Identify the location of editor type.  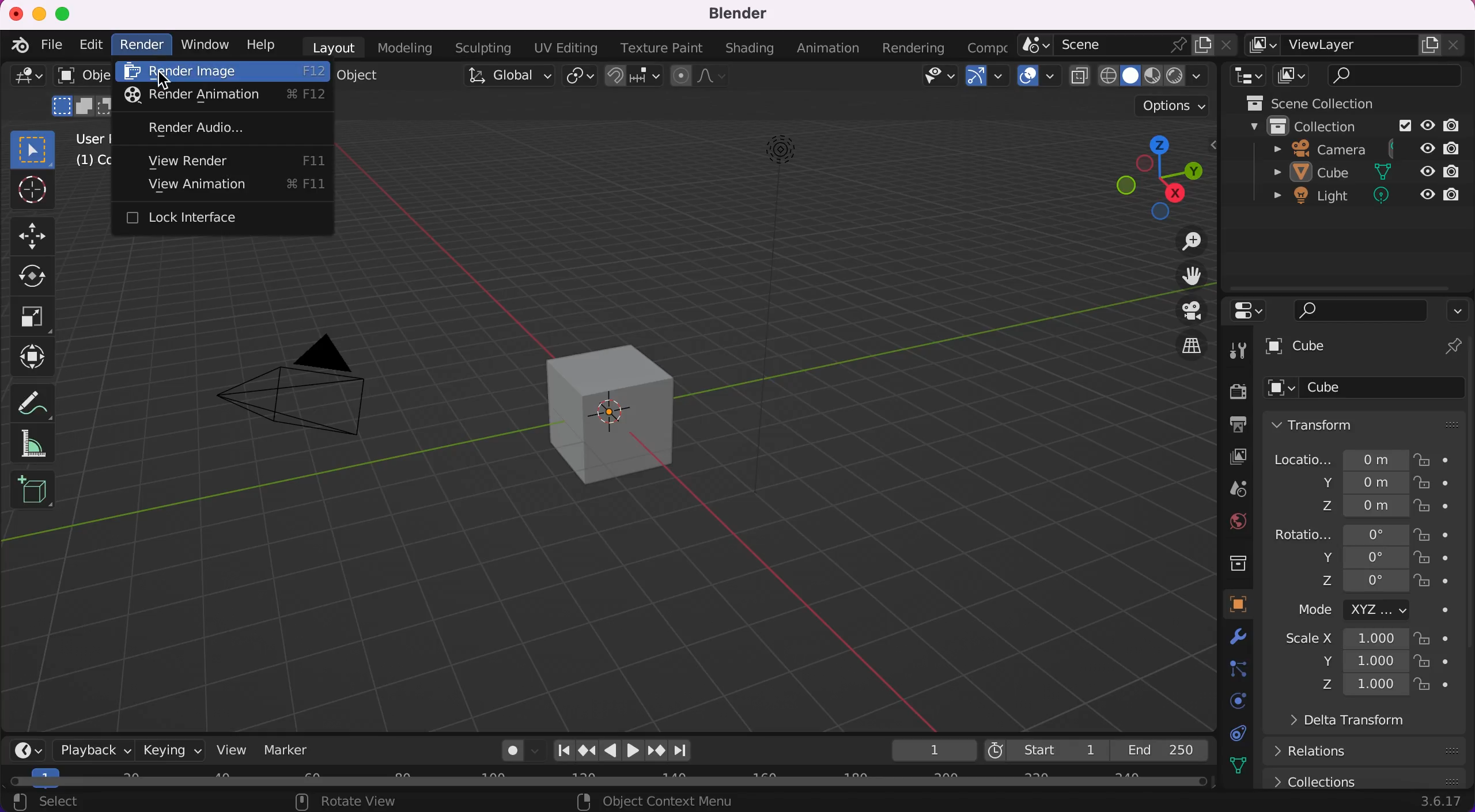
(23, 81).